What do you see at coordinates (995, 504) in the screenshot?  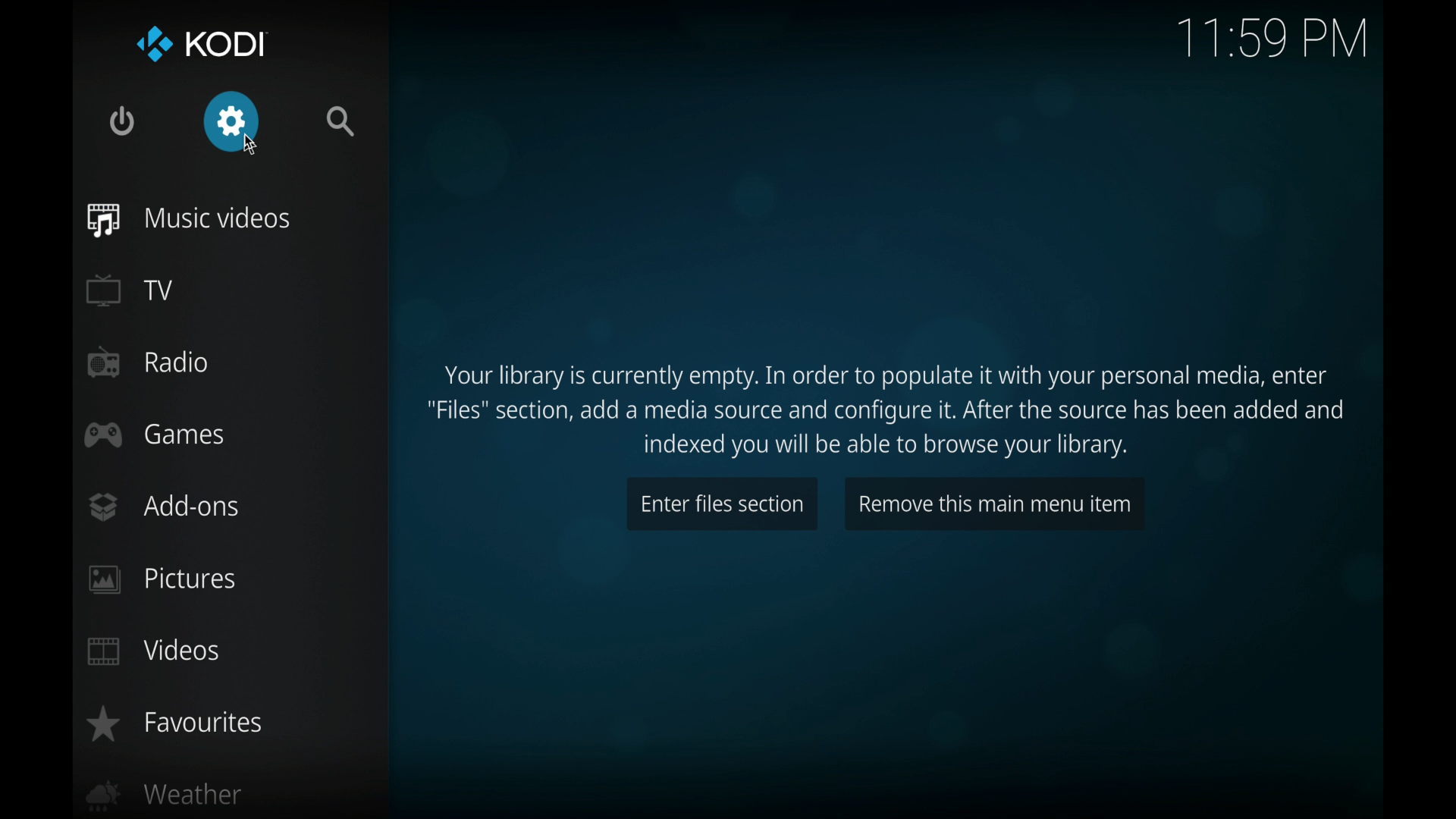 I see `remove this main menu item` at bounding box center [995, 504].